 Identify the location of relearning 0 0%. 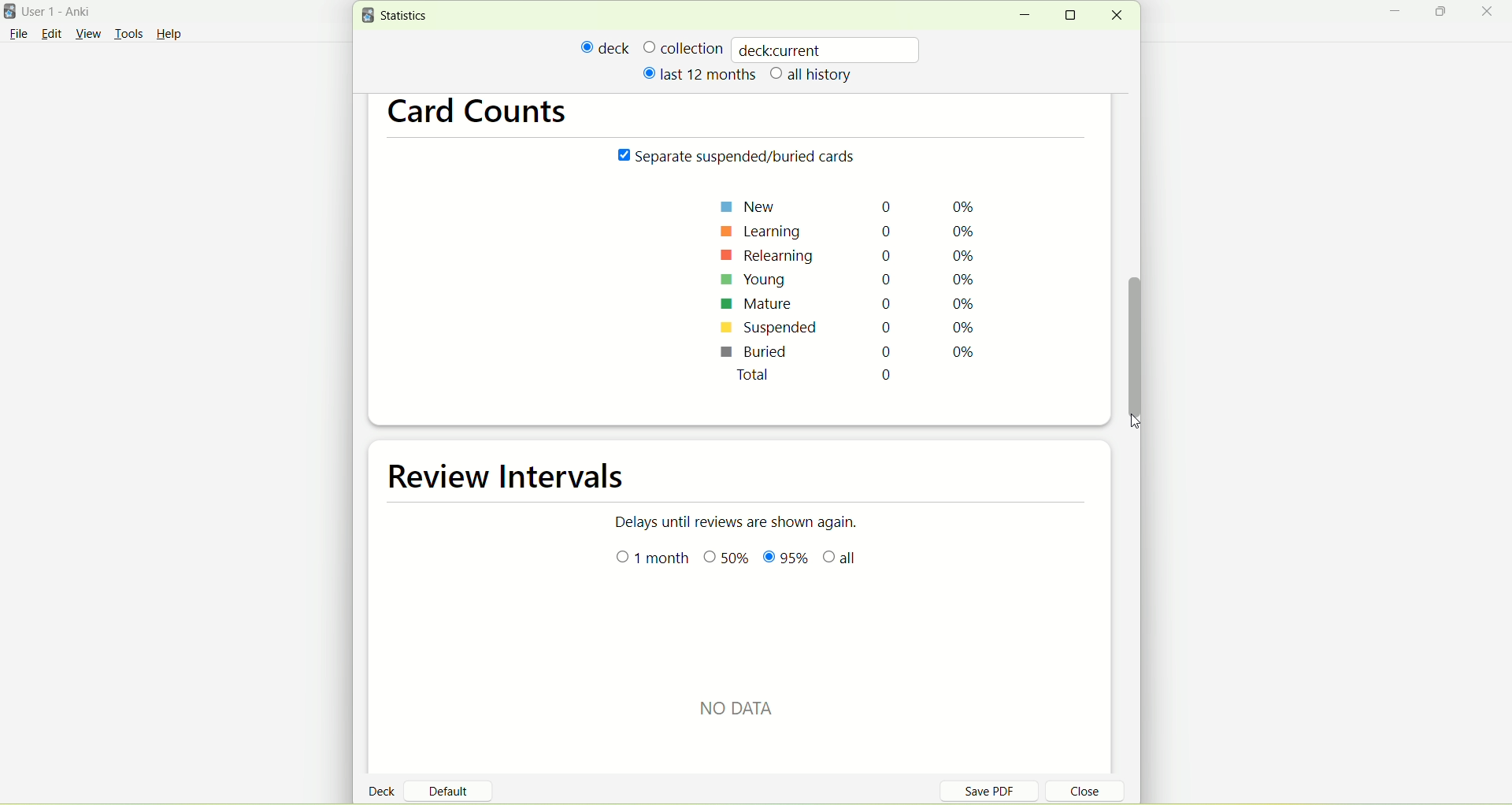
(850, 254).